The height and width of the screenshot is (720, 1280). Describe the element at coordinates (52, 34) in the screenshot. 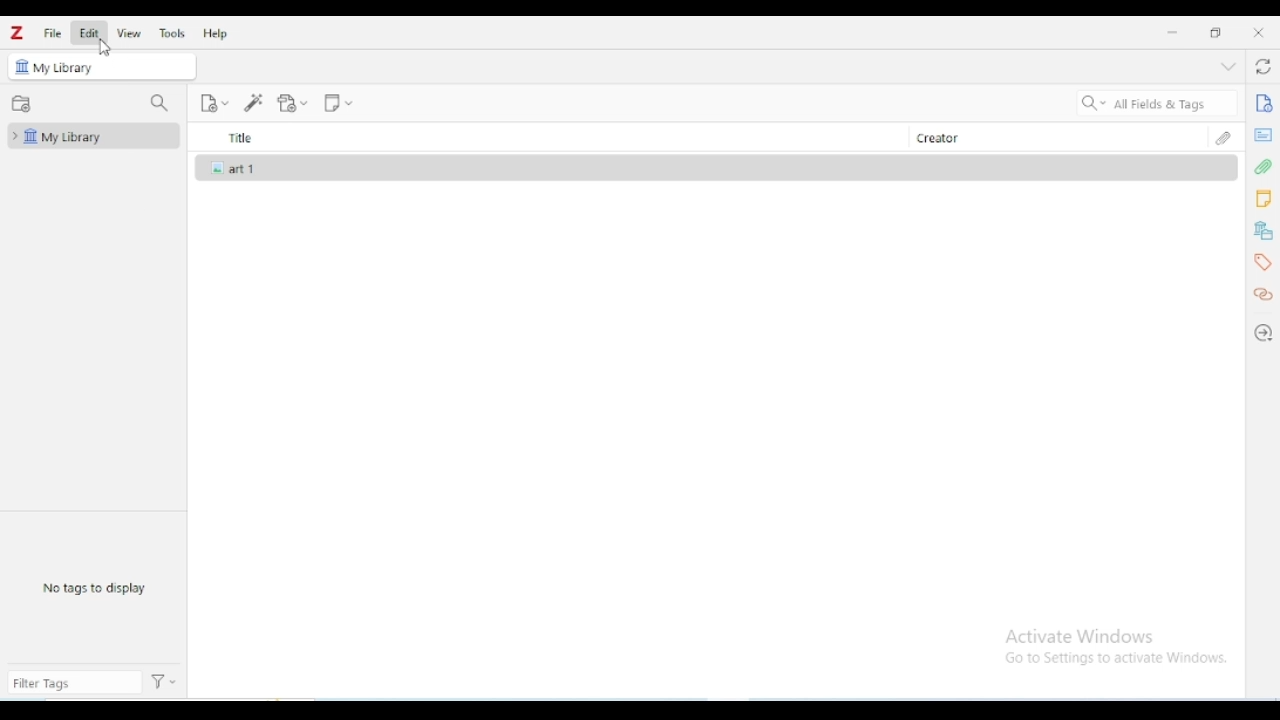

I see `file` at that location.